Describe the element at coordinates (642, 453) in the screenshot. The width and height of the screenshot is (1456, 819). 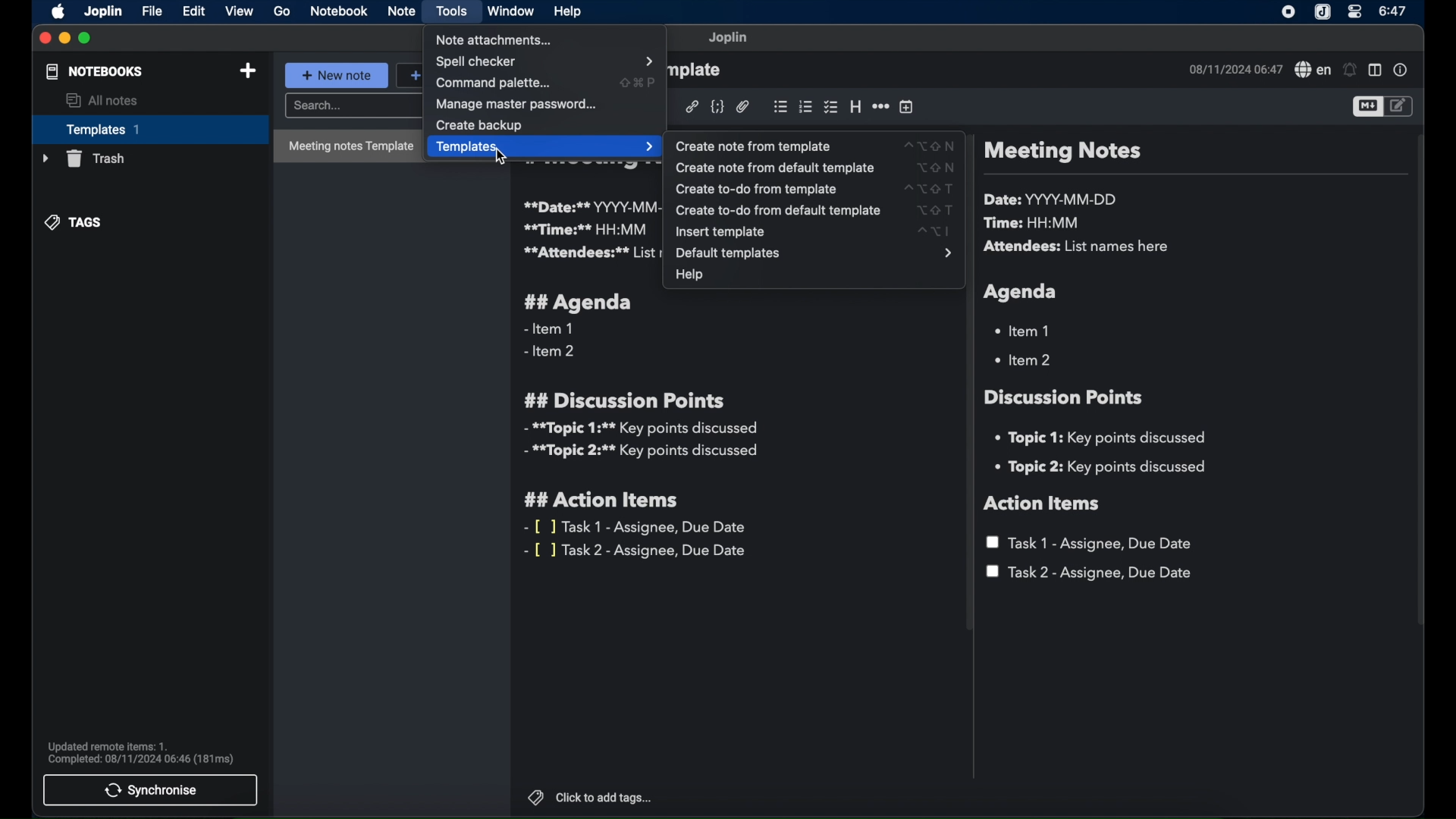
I see `**topic 2:** key points discussed` at that location.